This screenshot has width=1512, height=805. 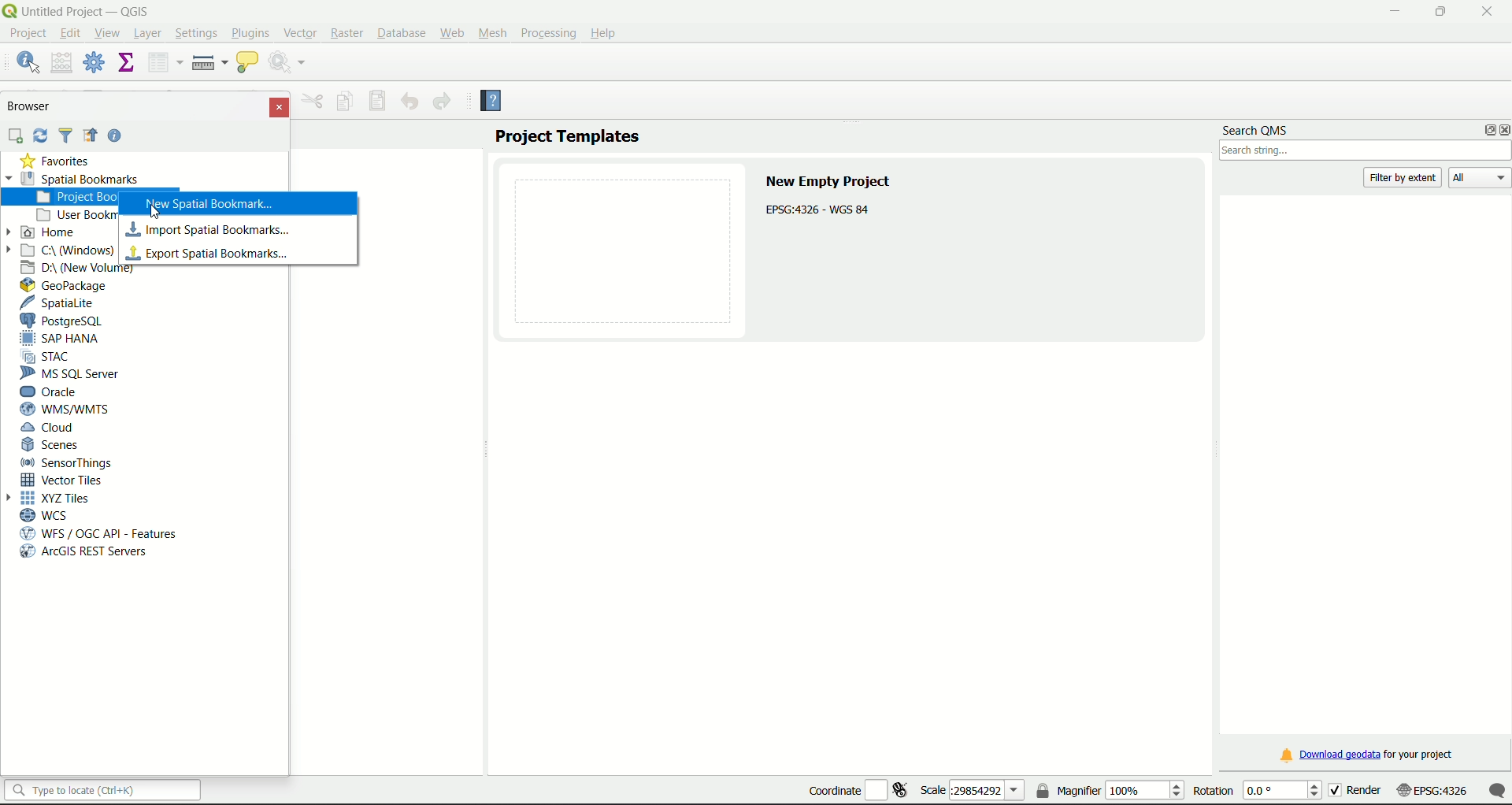 What do you see at coordinates (379, 101) in the screenshot?
I see `Save features` at bounding box center [379, 101].